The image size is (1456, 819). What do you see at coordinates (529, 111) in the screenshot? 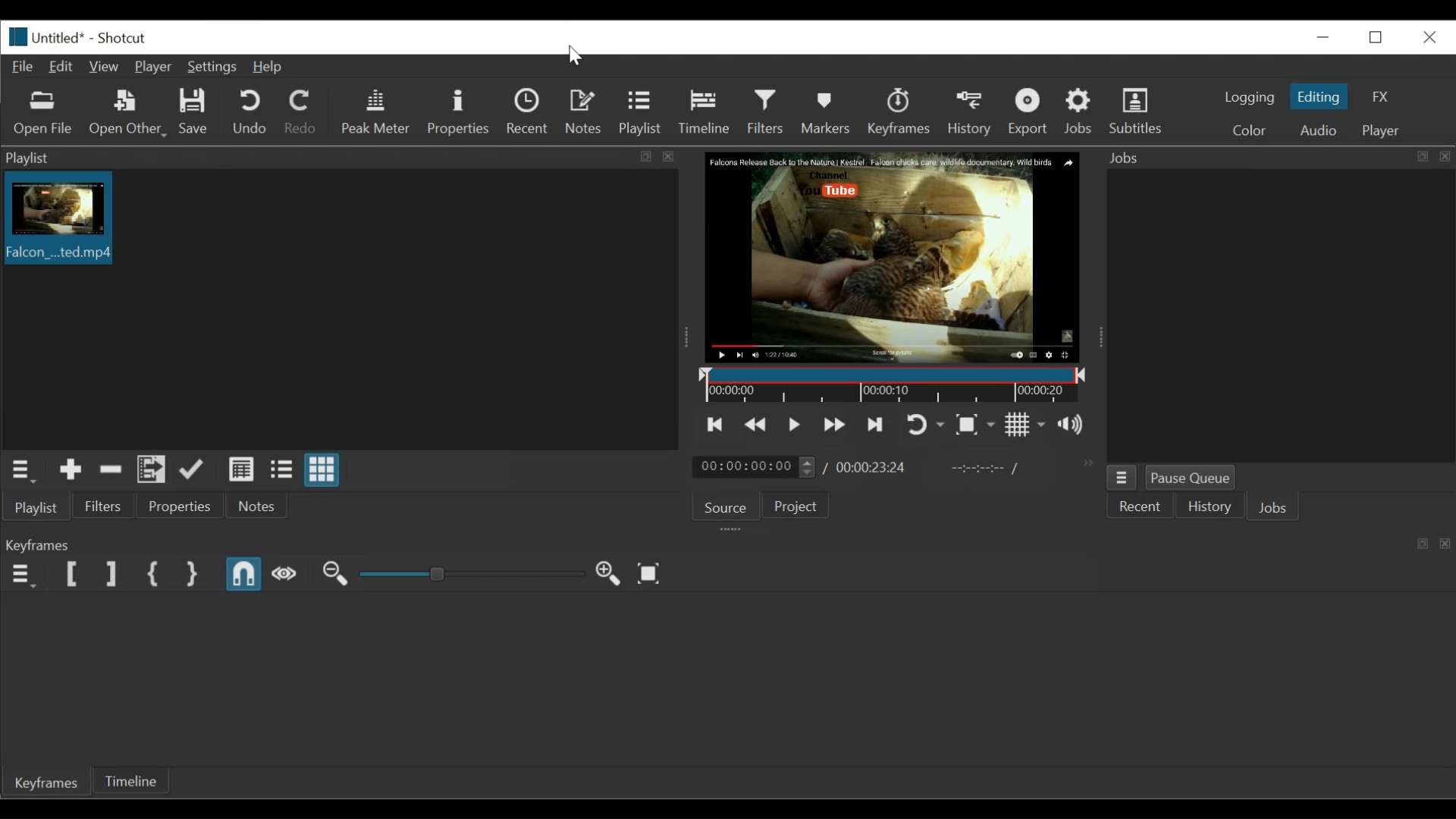
I see `Recent` at bounding box center [529, 111].